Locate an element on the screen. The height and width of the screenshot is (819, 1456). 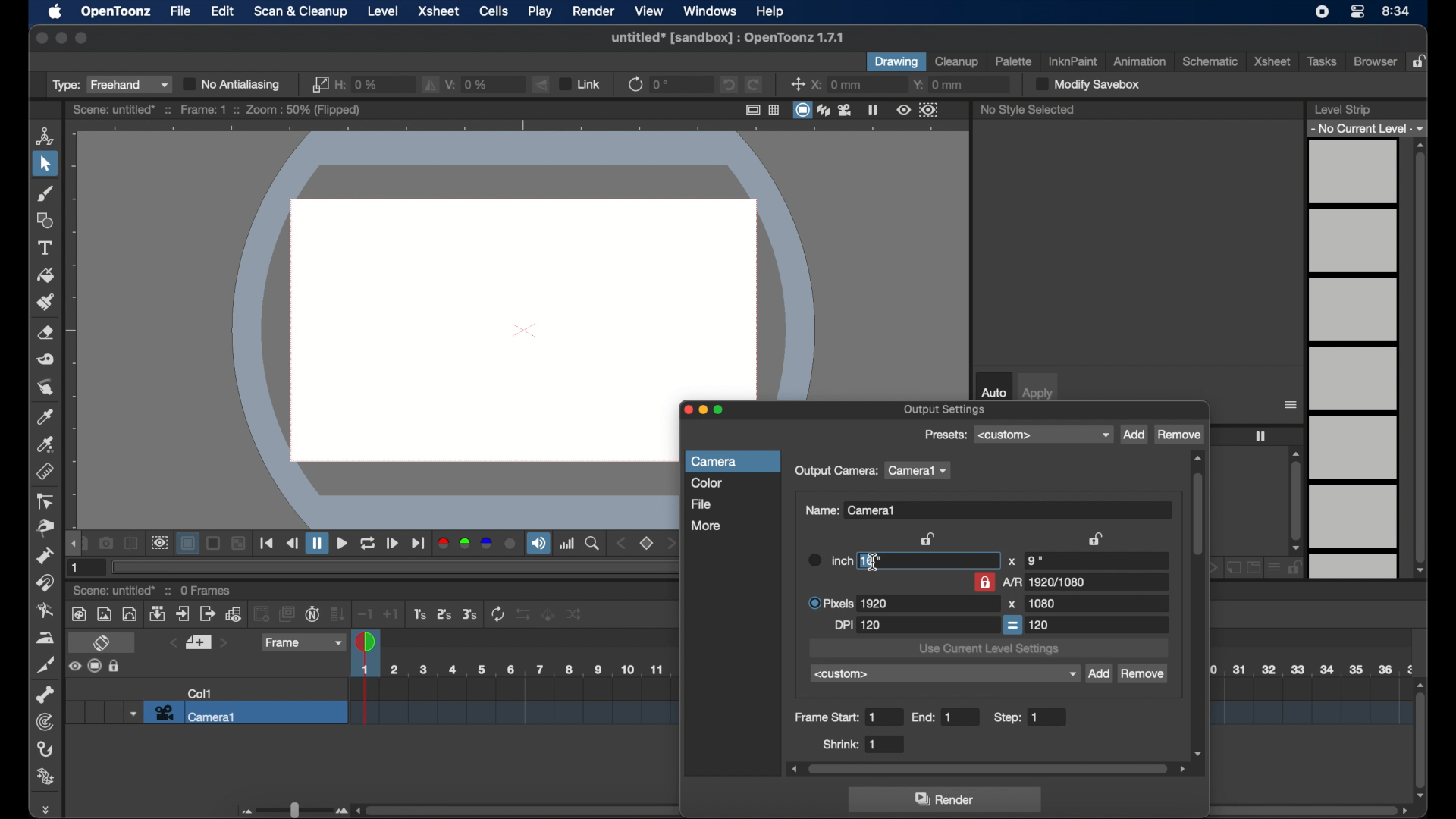
link is located at coordinates (318, 84).